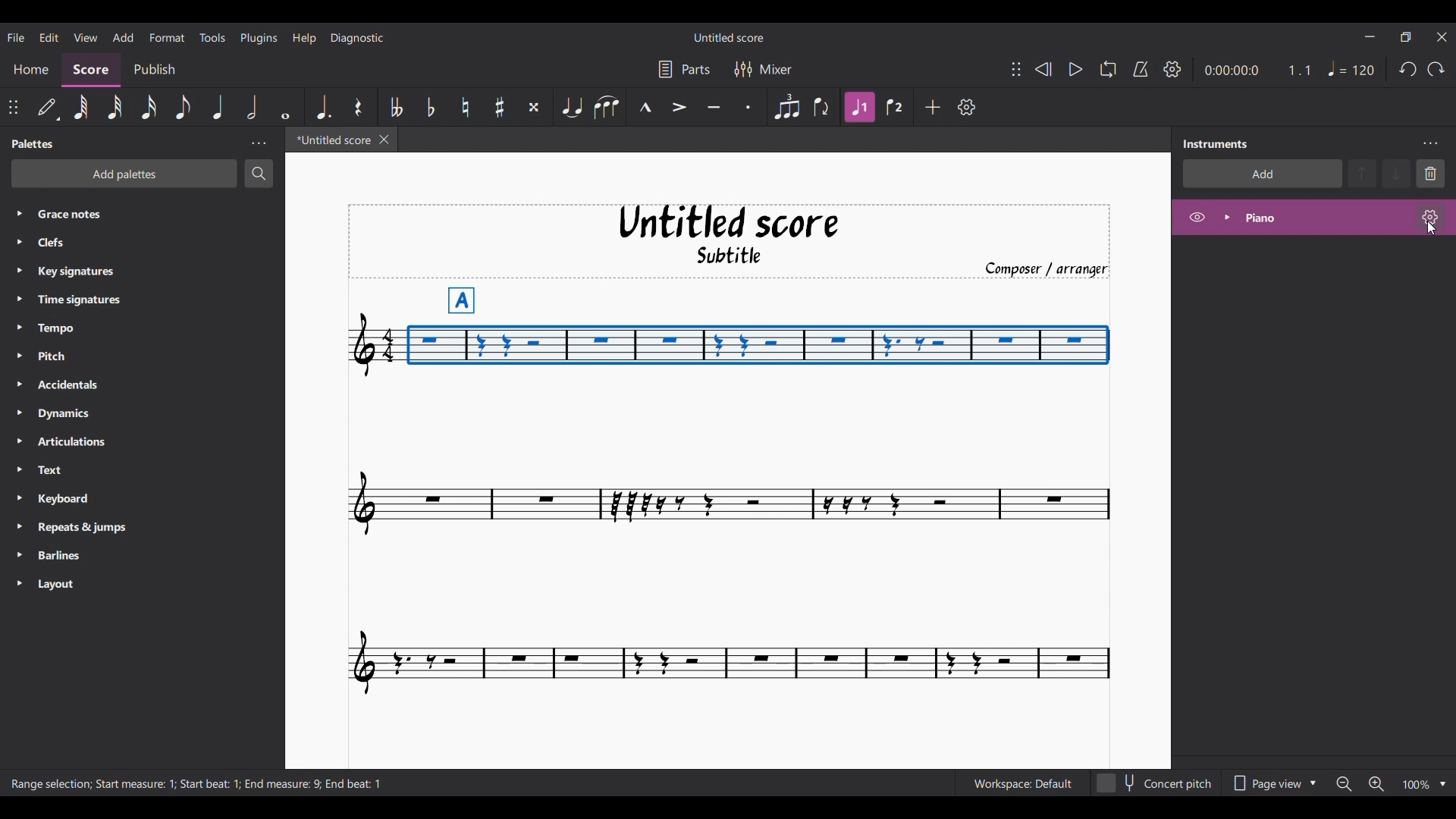  Describe the element at coordinates (86, 355) in the screenshot. I see `Pitch` at that location.